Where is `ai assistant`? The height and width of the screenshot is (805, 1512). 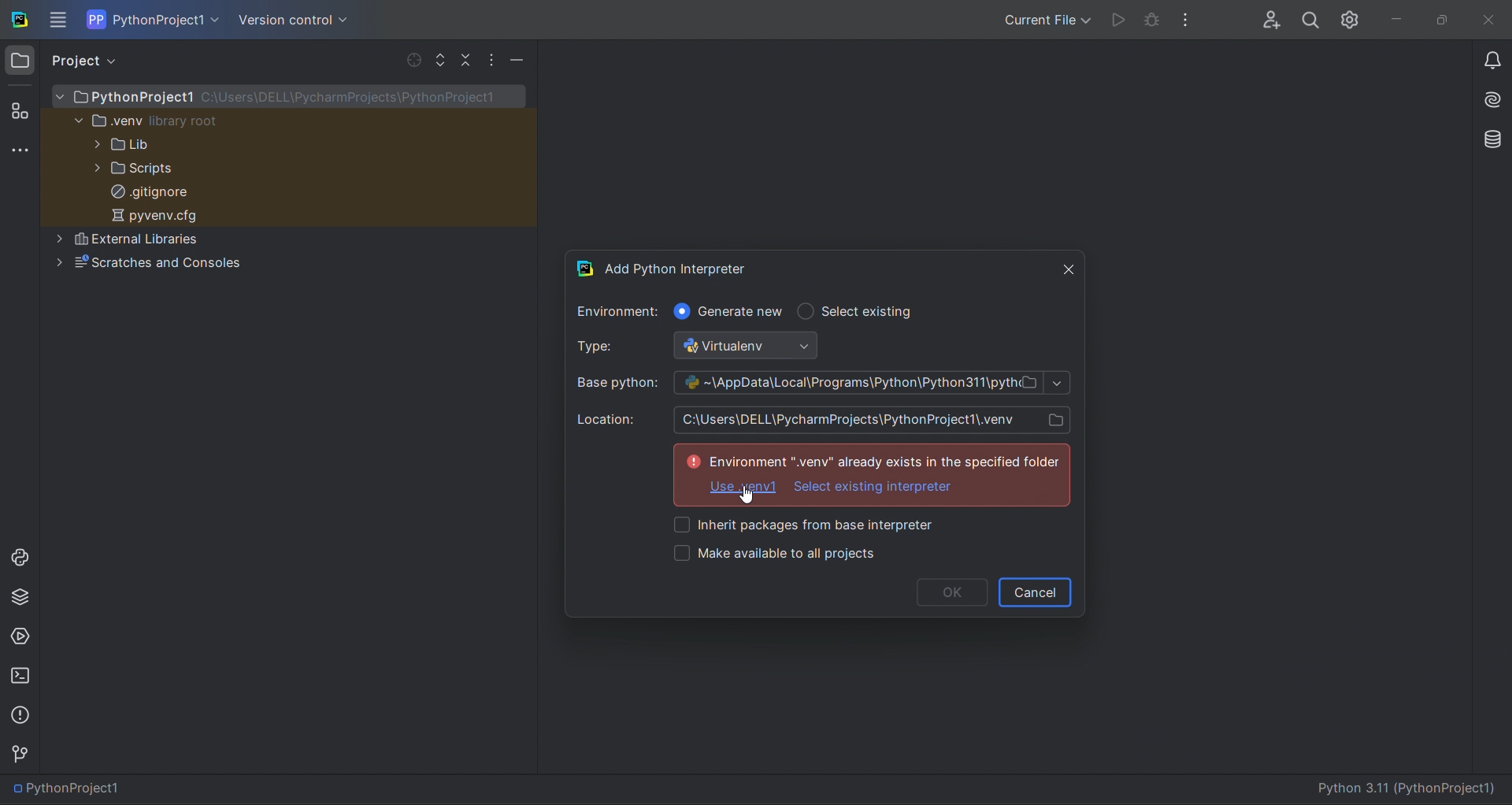 ai assistant is located at coordinates (1487, 102).